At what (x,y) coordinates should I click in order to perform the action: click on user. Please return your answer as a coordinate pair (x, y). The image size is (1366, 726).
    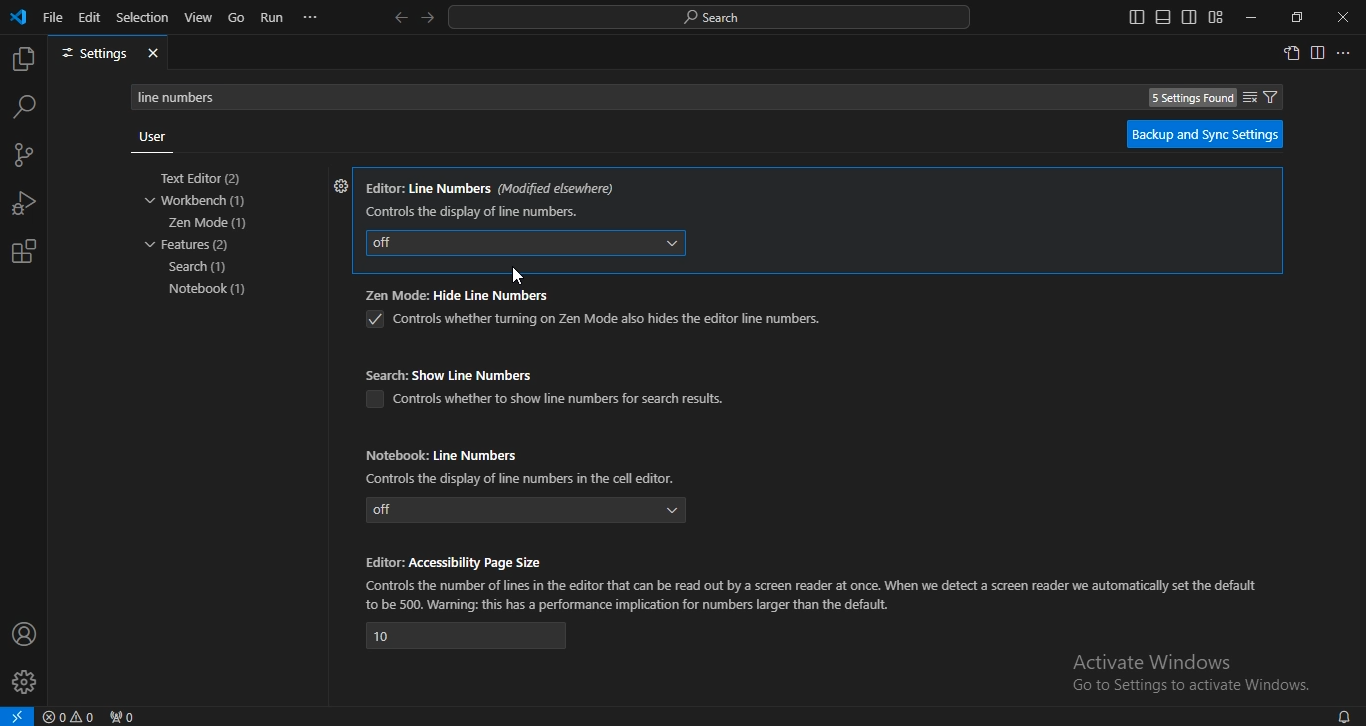
    Looking at the image, I should click on (152, 139).